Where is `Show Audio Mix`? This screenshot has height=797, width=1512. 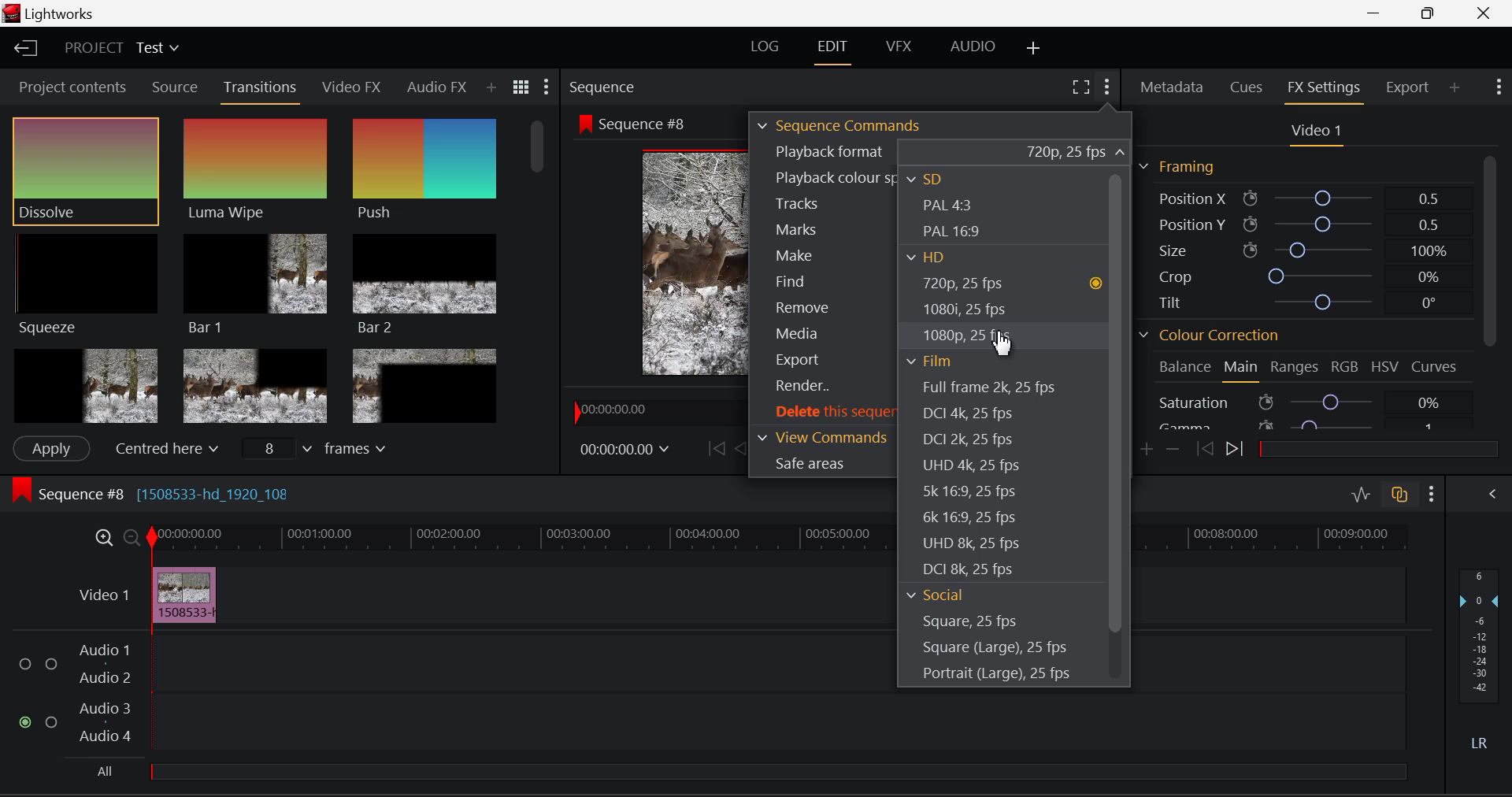 Show Audio Mix is located at coordinates (1492, 494).